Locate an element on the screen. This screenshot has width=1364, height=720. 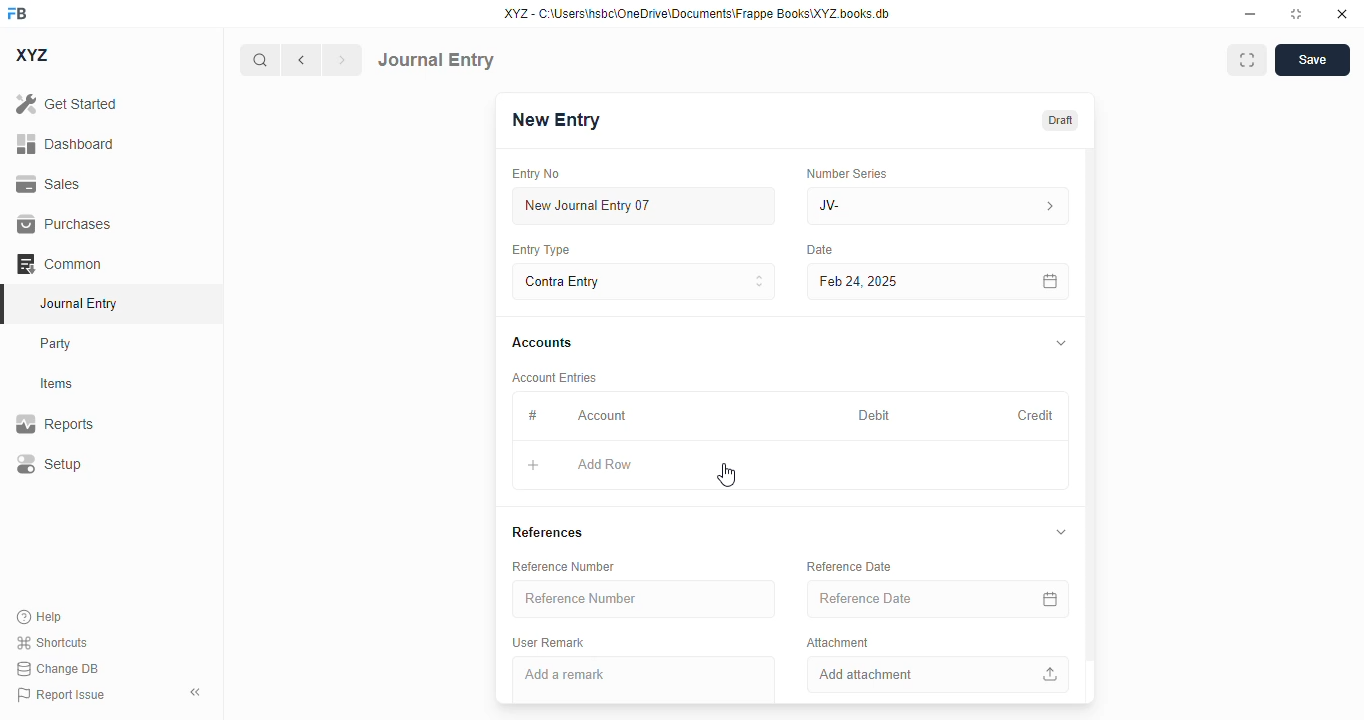
references is located at coordinates (548, 533).